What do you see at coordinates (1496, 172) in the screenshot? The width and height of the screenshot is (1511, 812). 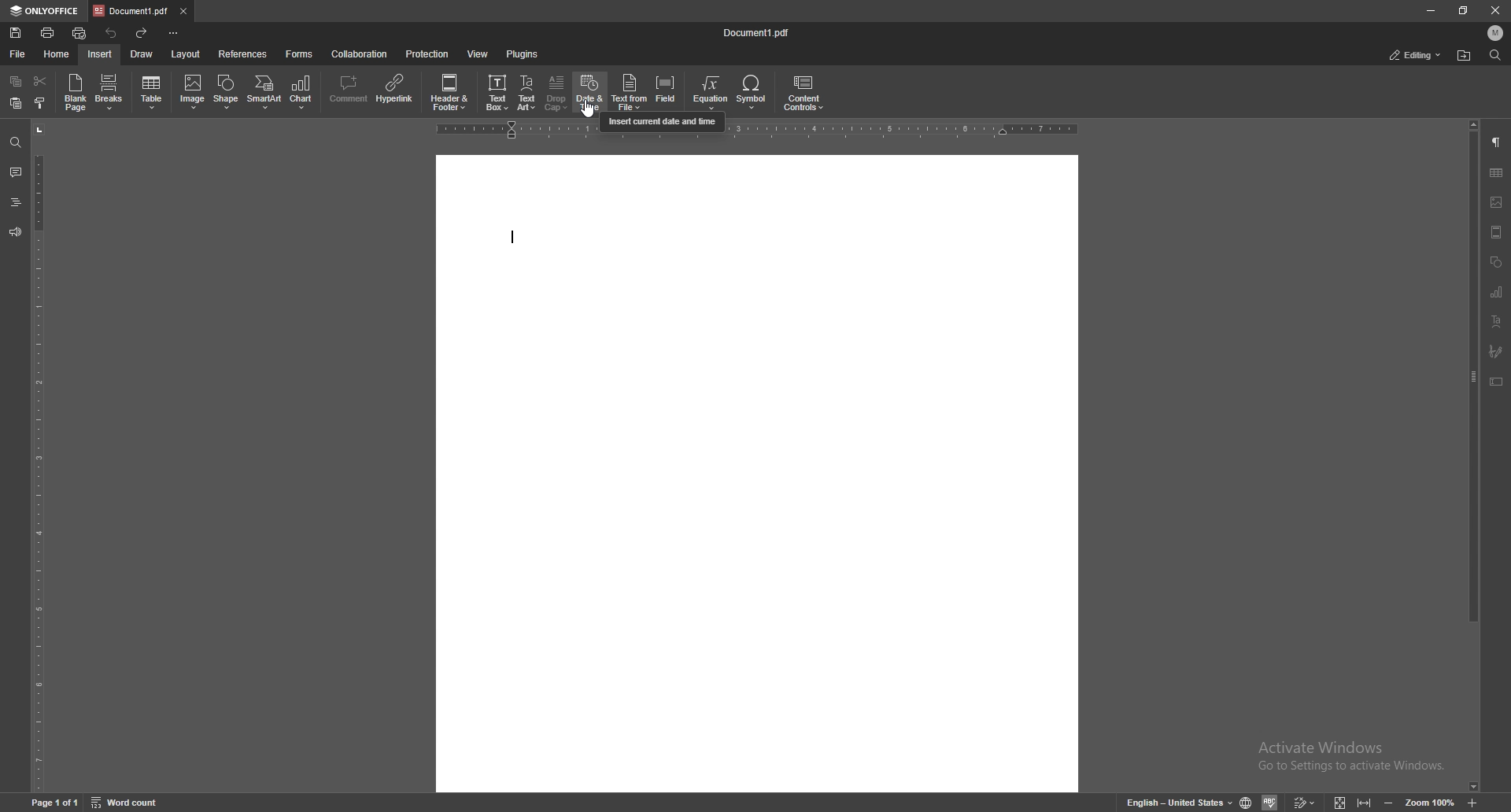 I see `tables` at bounding box center [1496, 172].